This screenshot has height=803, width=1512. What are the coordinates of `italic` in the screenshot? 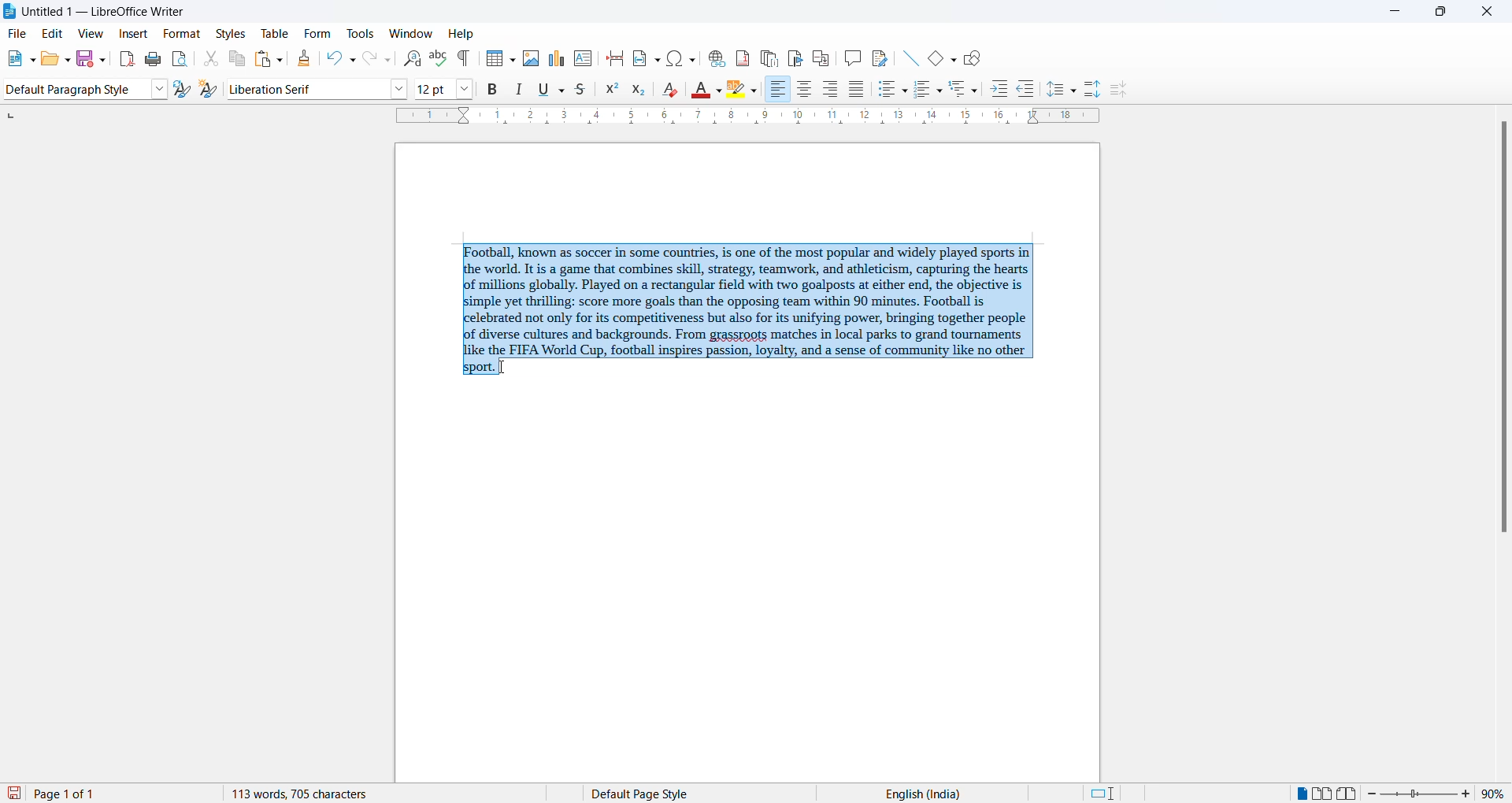 It's located at (519, 87).